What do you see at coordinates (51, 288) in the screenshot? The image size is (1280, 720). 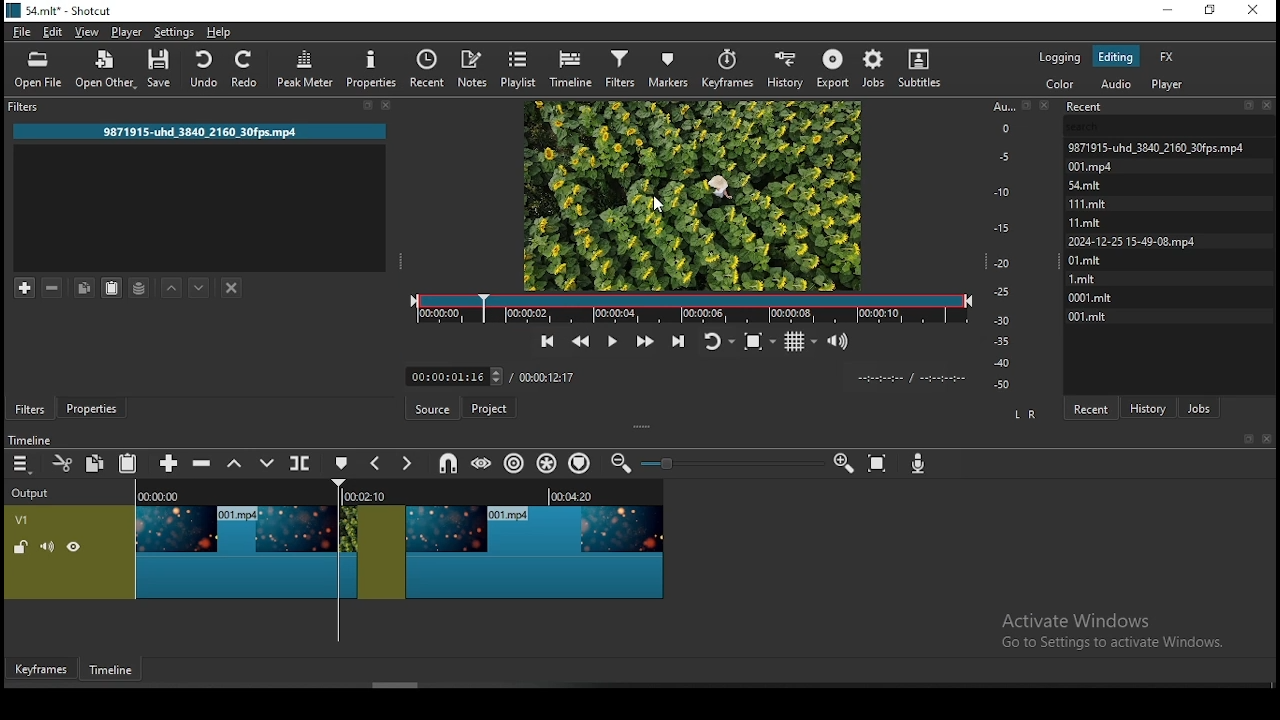 I see `remove selected filters` at bounding box center [51, 288].